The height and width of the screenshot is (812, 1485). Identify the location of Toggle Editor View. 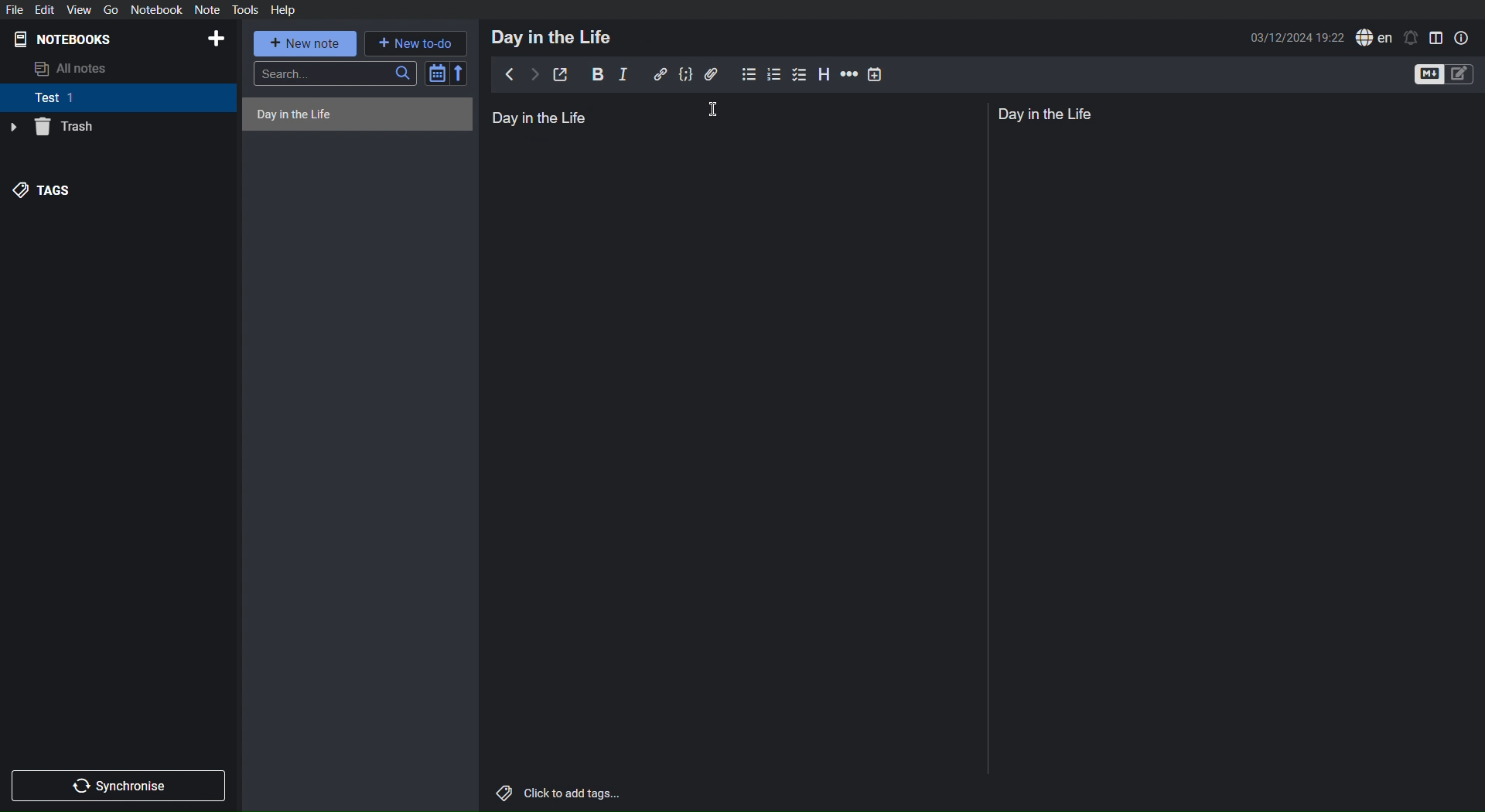
(1436, 39).